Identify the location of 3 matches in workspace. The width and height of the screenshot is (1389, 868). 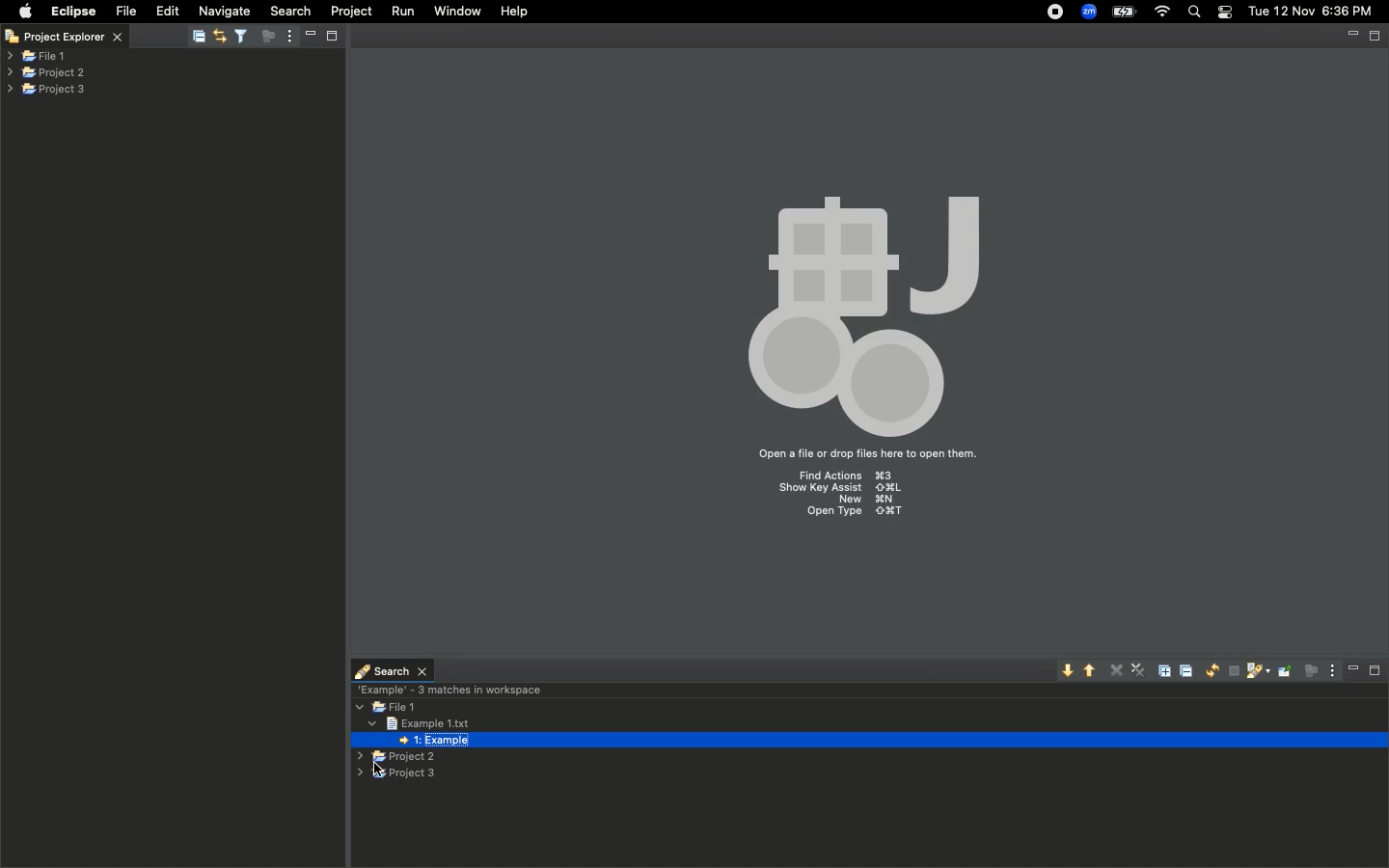
(449, 689).